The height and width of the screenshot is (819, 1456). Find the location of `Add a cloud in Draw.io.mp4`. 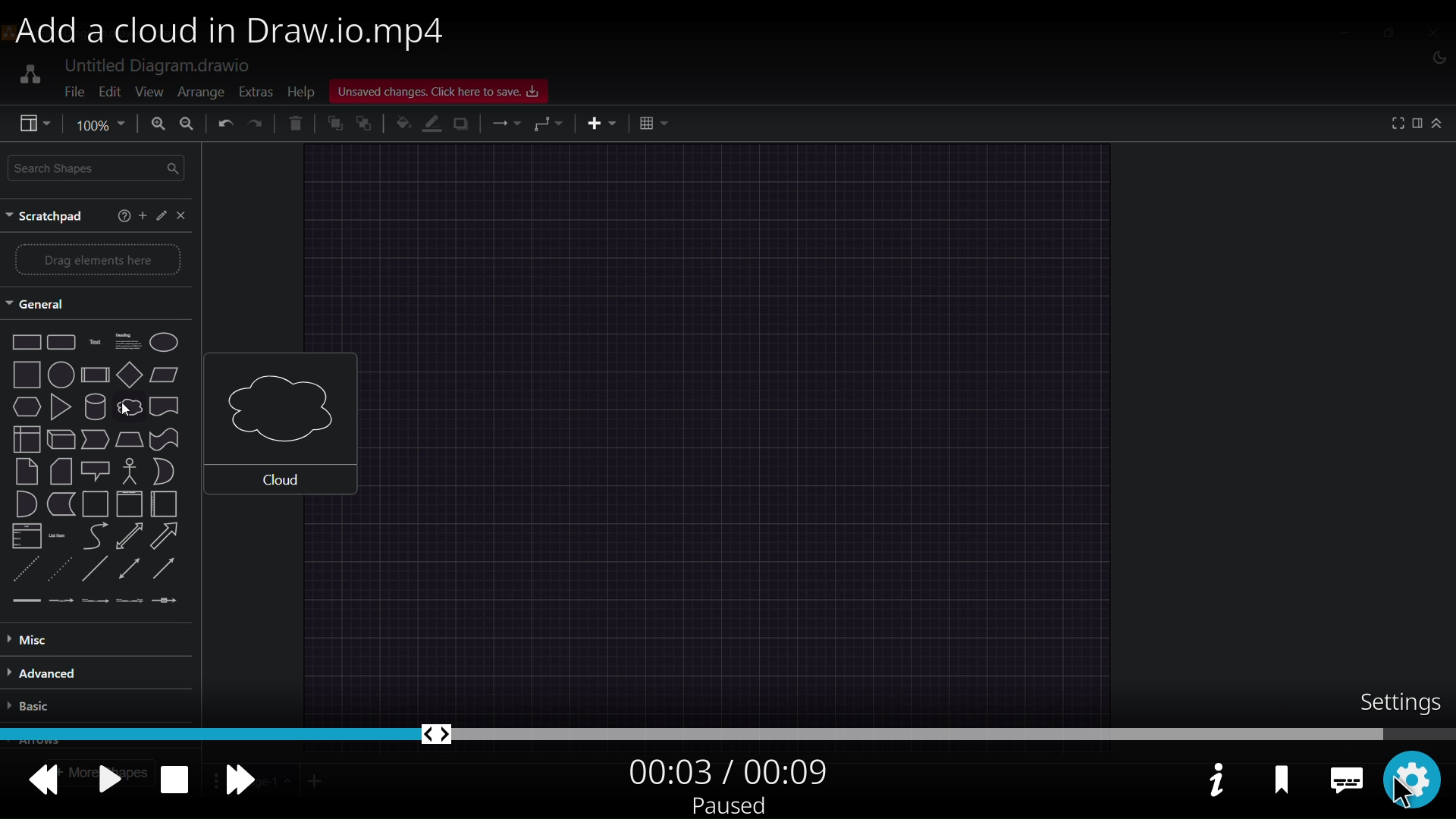

Add a cloud in Draw.io.mp4 is located at coordinates (240, 32).